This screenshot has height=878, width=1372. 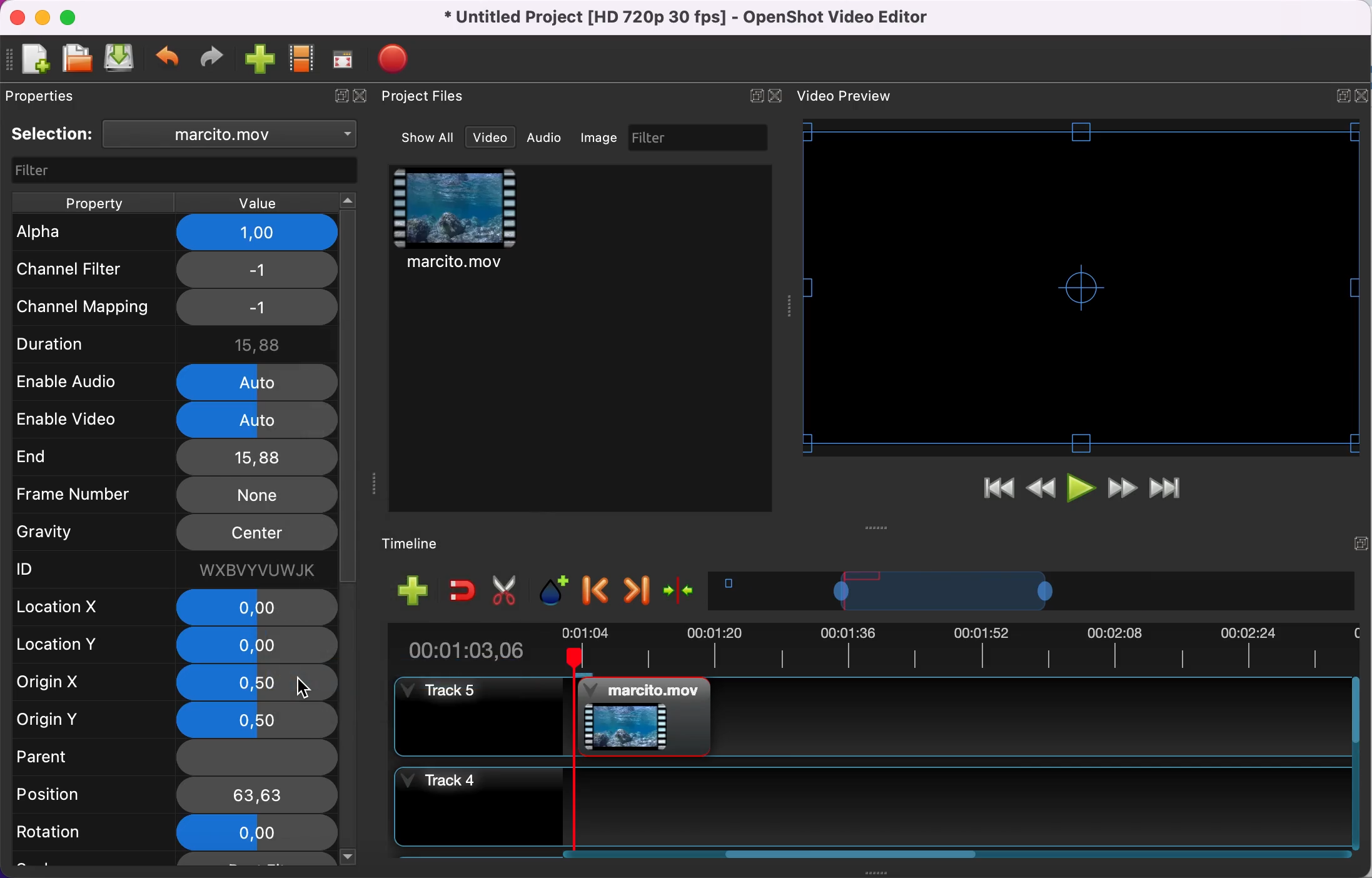 I want to click on filter, so click(x=700, y=137).